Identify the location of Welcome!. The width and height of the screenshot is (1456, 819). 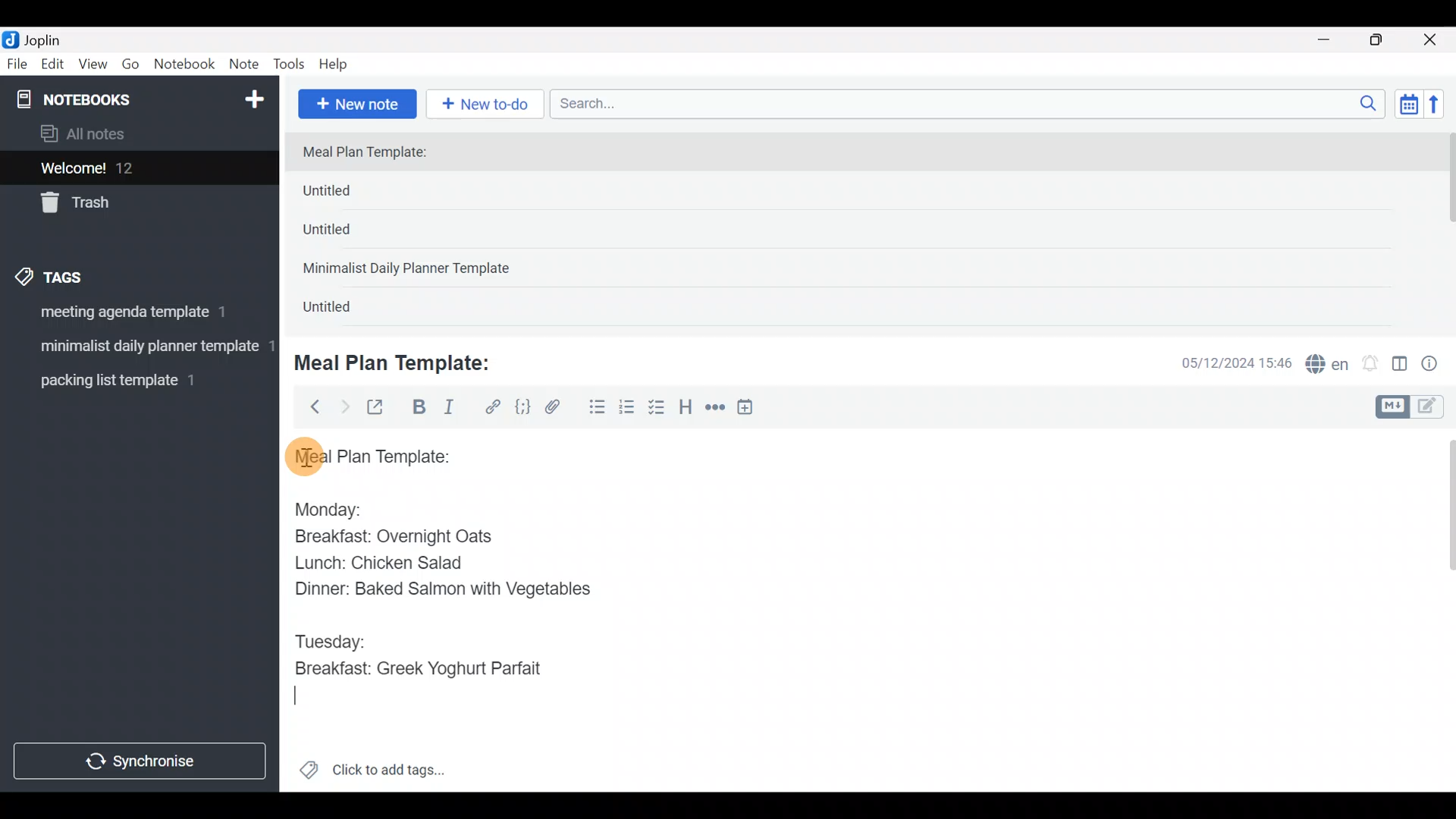
(137, 169).